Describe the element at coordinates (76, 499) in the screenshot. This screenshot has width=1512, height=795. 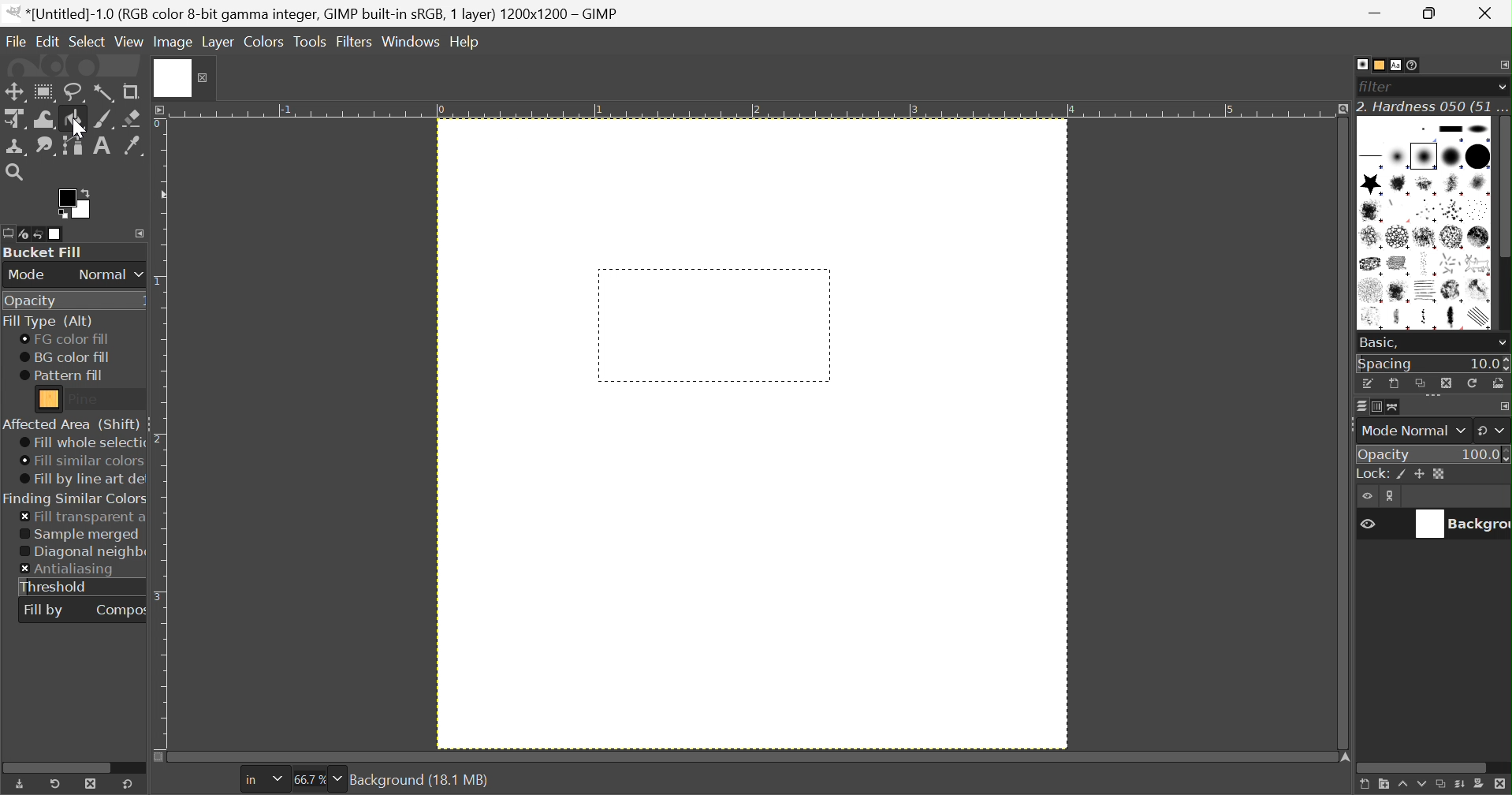
I see `Finding Similar Colors` at that location.